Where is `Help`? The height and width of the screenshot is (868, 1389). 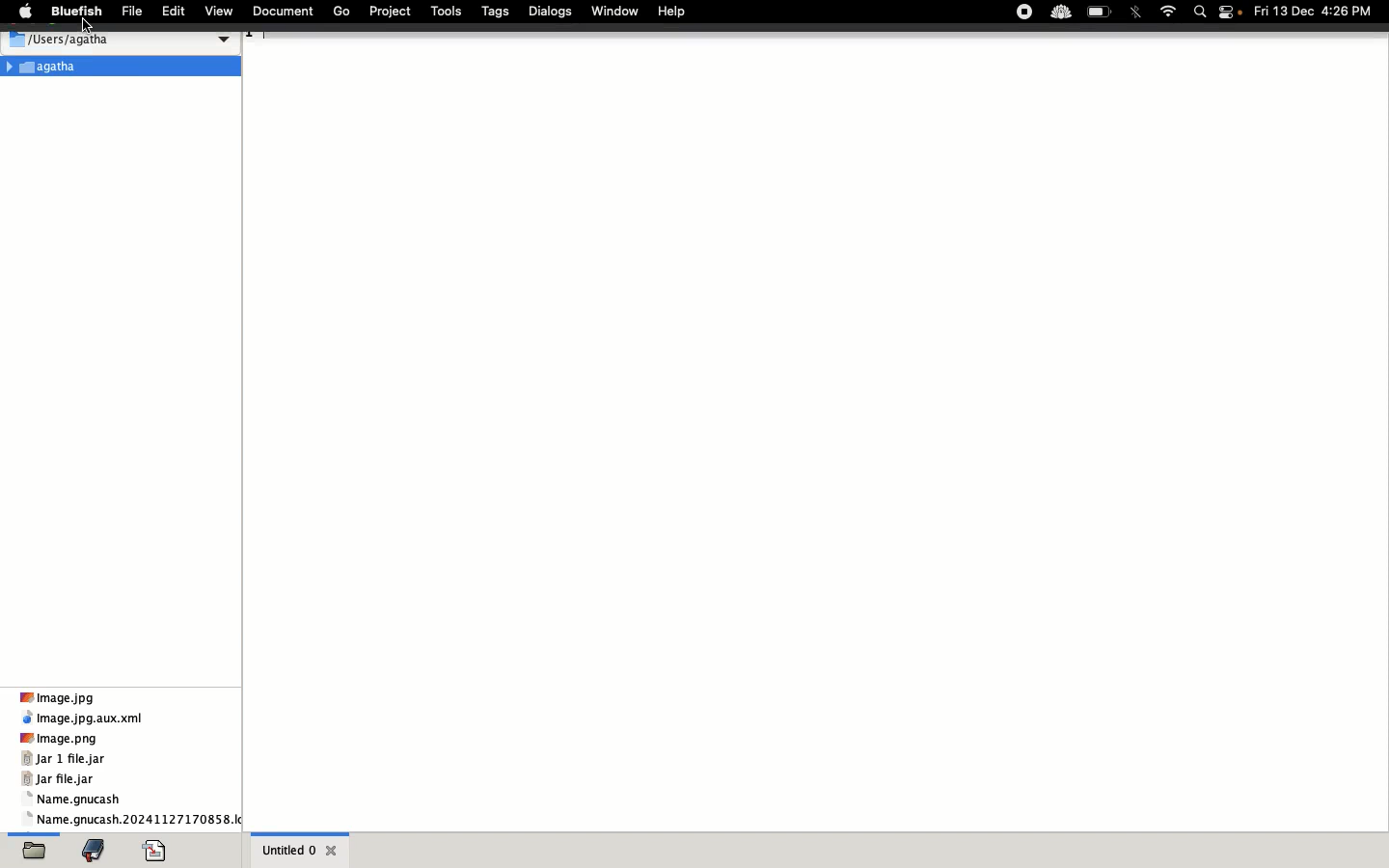
Help is located at coordinates (670, 13).